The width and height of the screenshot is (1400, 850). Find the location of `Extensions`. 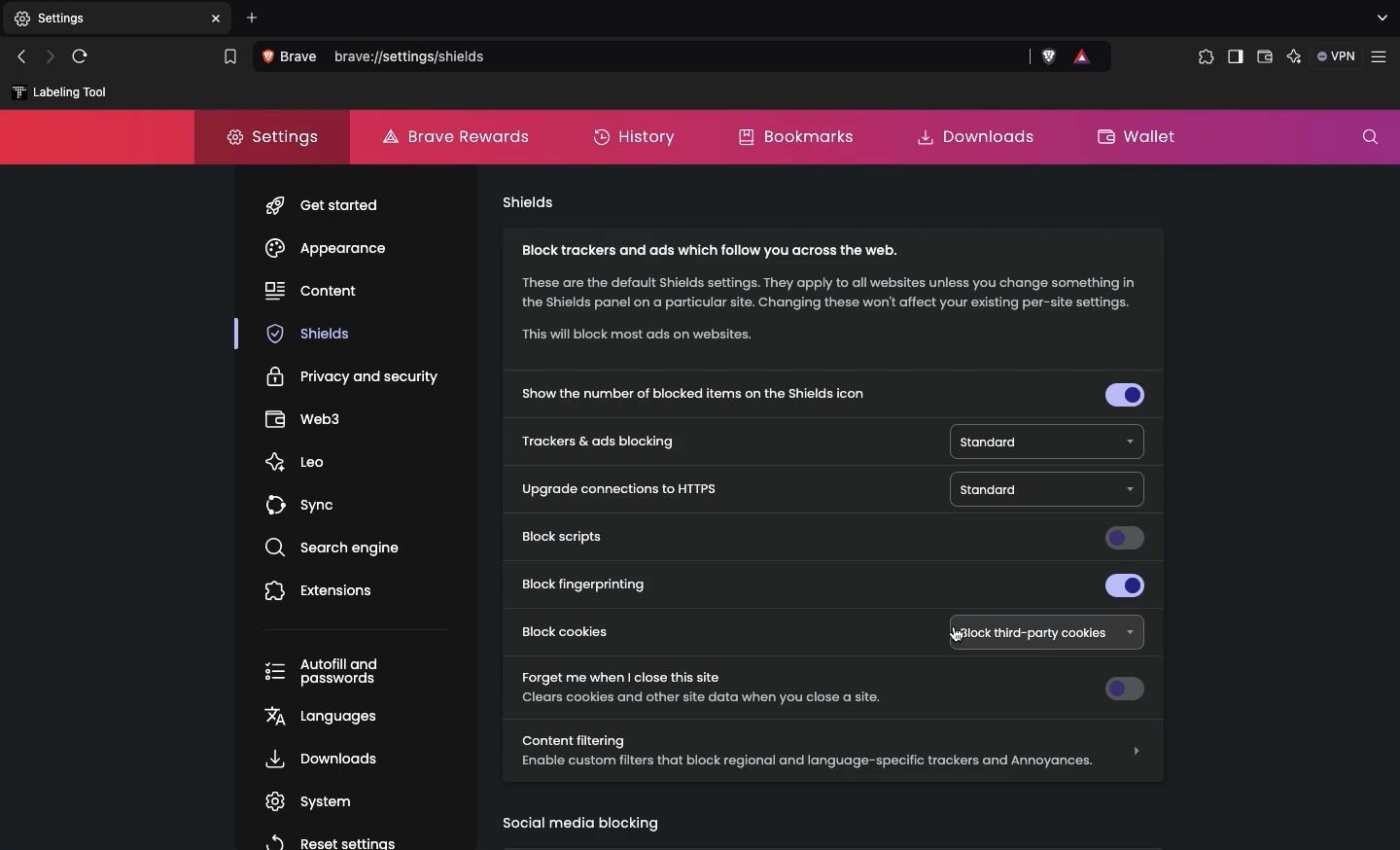

Extensions is located at coordinates (1206, 60).